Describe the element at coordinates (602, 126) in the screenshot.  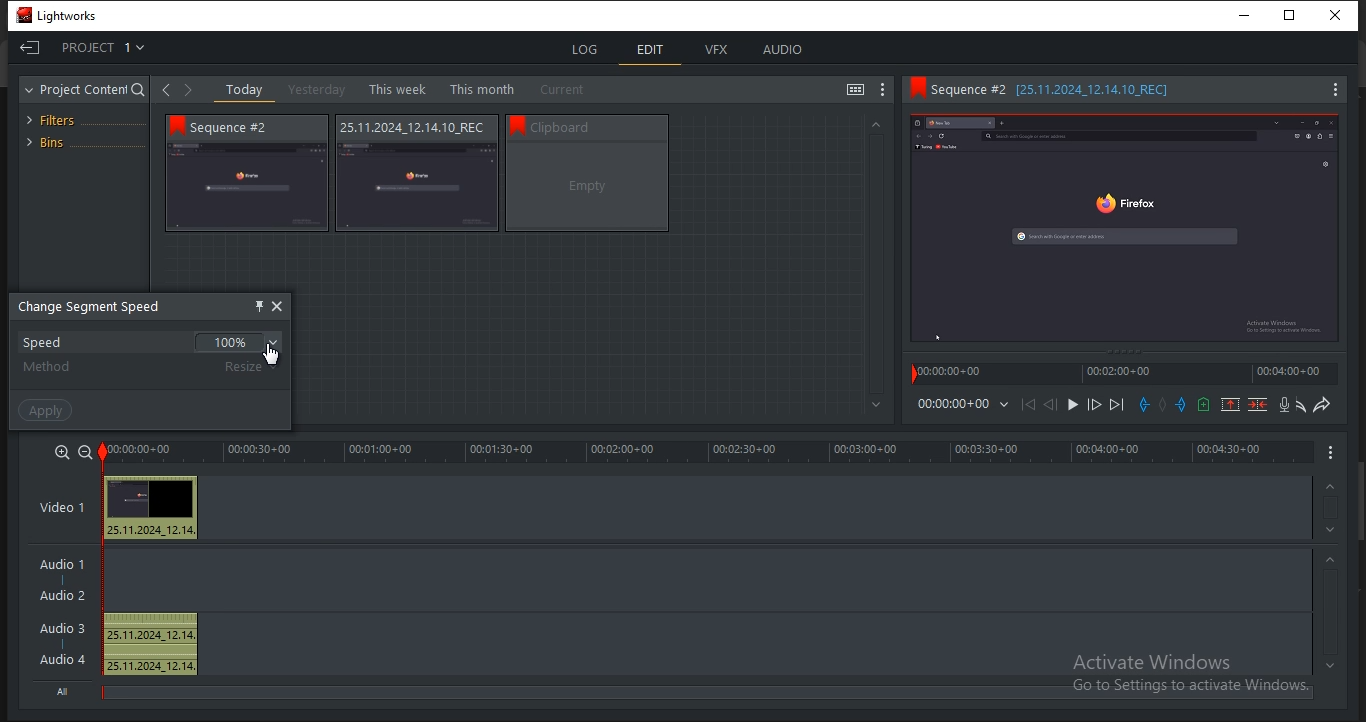
I see `Sequence information` at that location.